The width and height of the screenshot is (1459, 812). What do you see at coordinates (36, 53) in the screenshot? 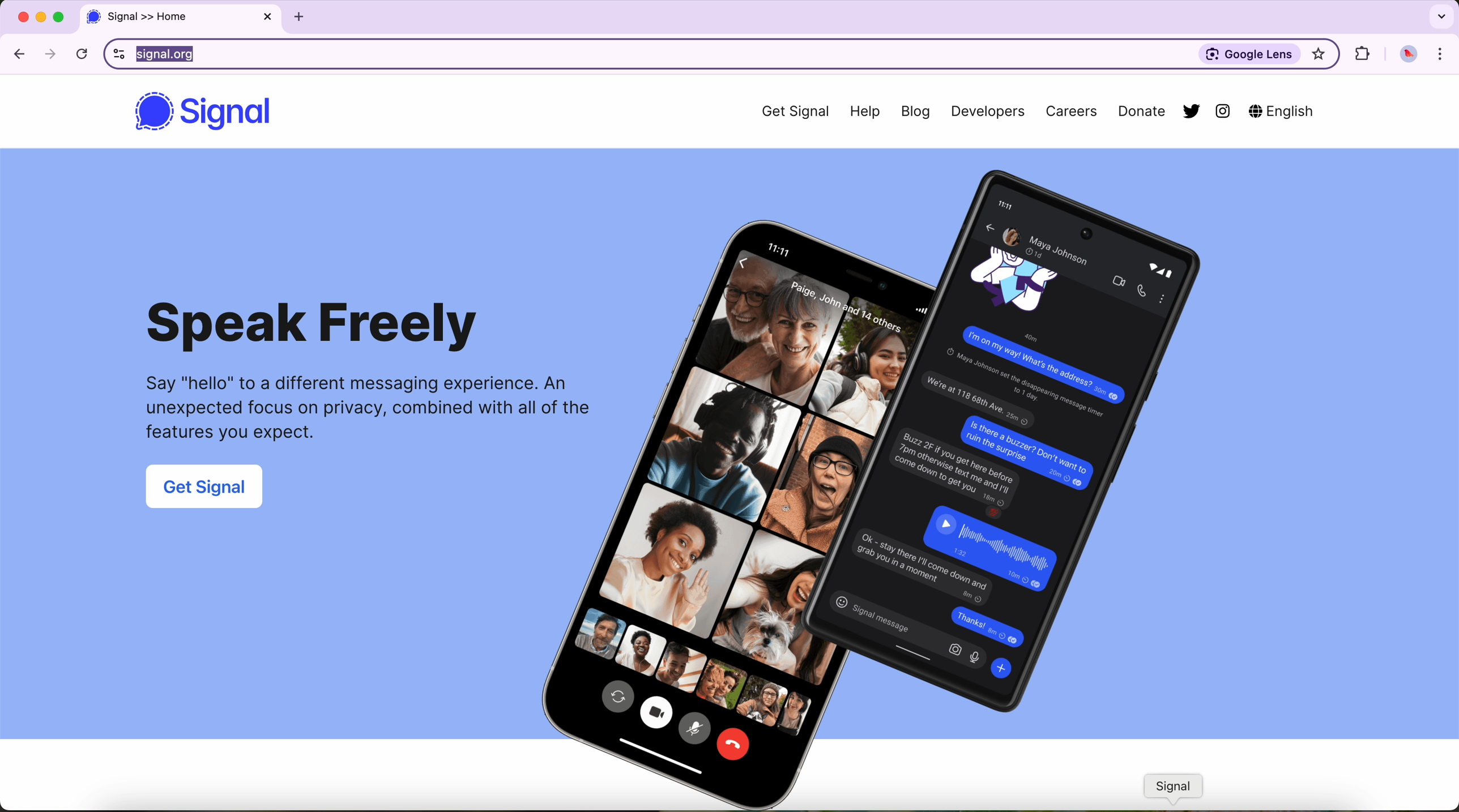
I see `navigate arrows` at bounding box center [36, 53].